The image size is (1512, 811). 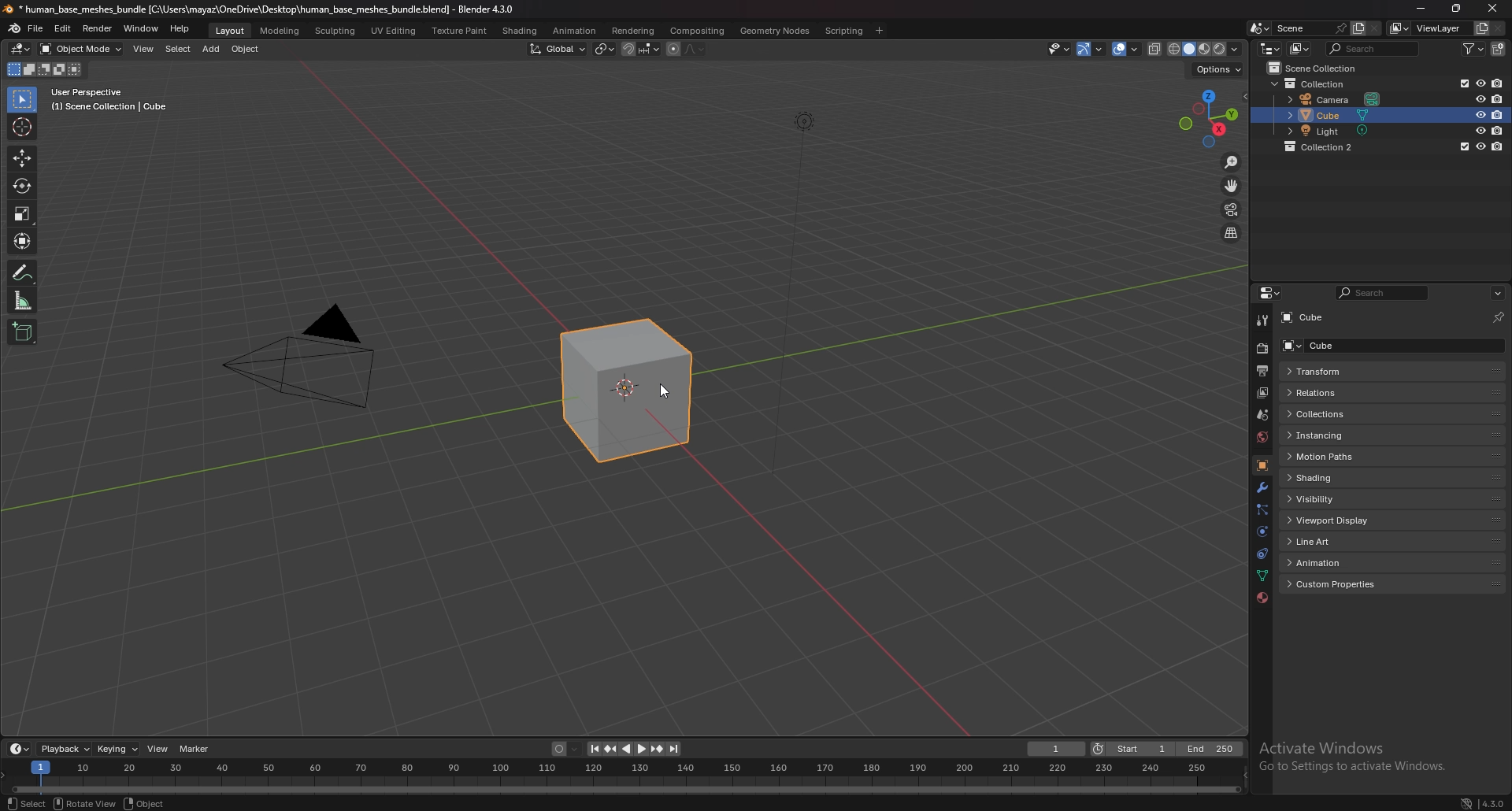 I want to click on move, so click(x=1234, y=185).